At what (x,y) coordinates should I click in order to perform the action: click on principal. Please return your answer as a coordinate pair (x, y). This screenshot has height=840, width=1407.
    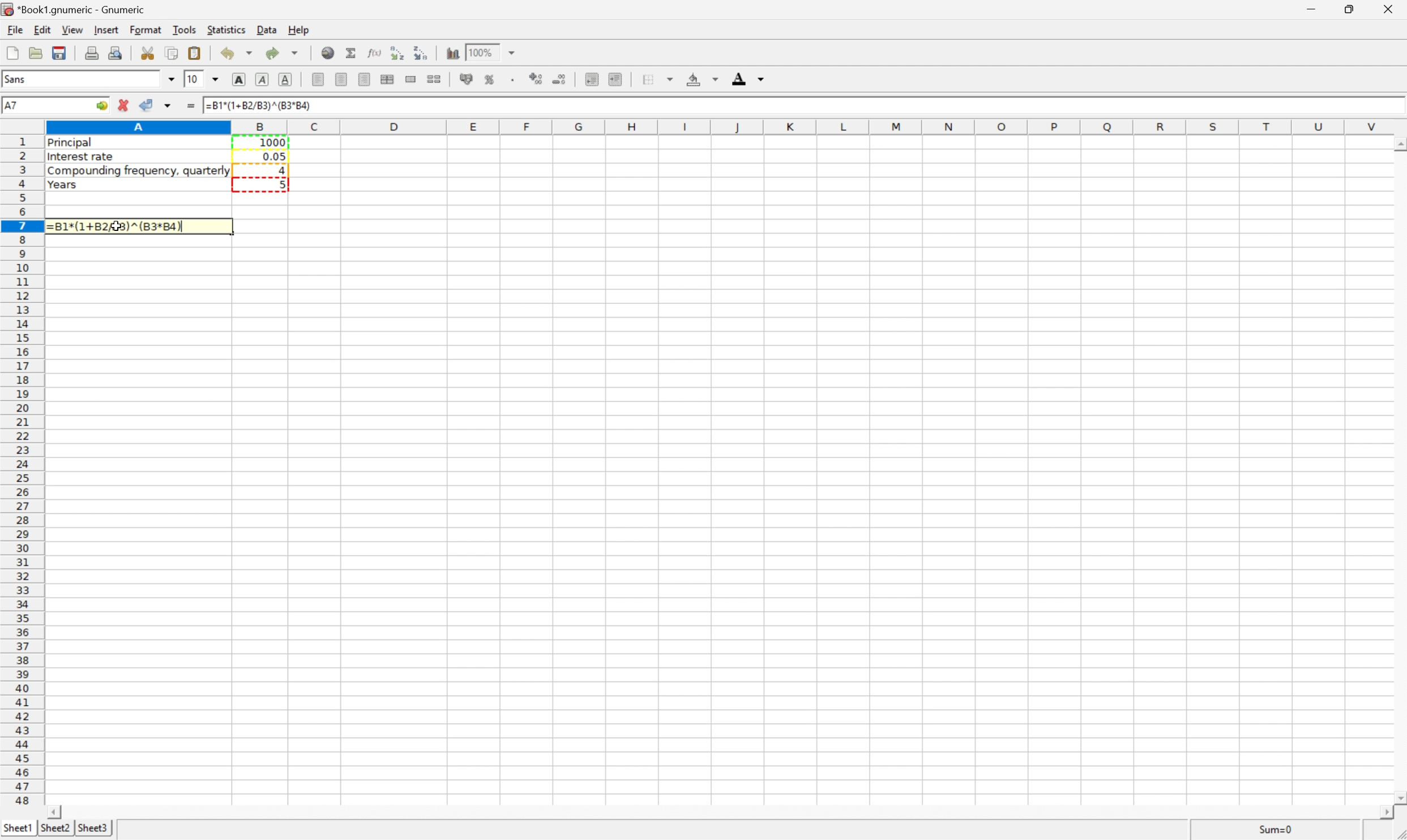
    Looking at the image, I should click on (74, 144).